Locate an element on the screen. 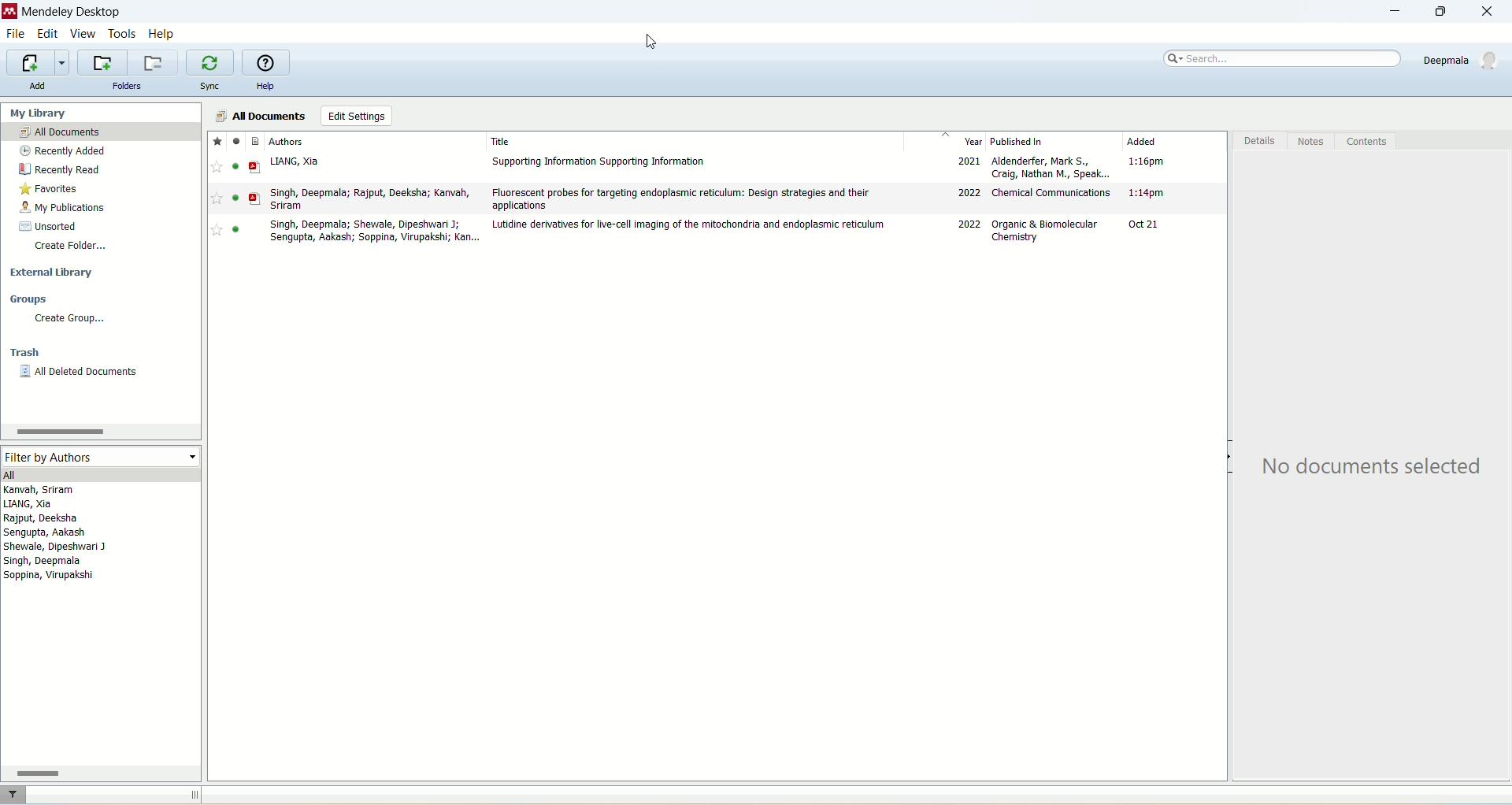 The height and width of the screenshot is (805, 1512). 1:14 pm is located at coordinates (1147, 193).